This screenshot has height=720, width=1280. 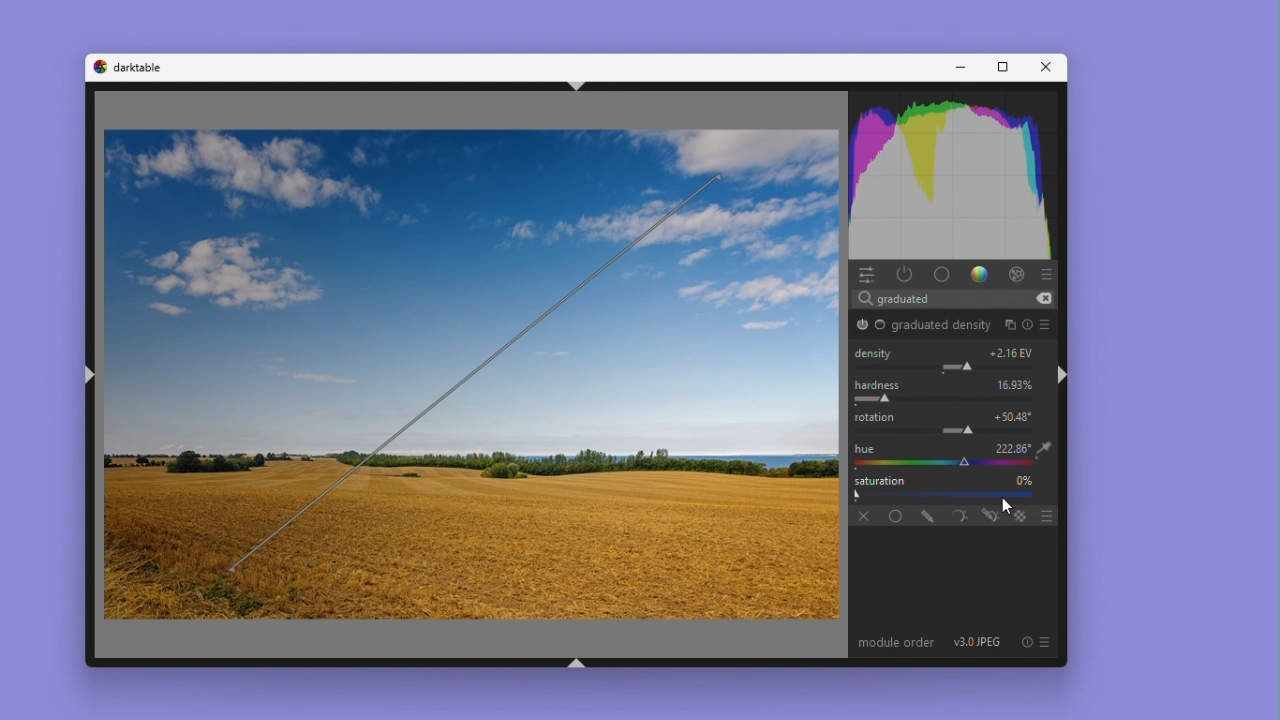 What do you see at coordinates (1046, 514) in the screenshot?
I see `blending options` at bounding box center [1046, 514].